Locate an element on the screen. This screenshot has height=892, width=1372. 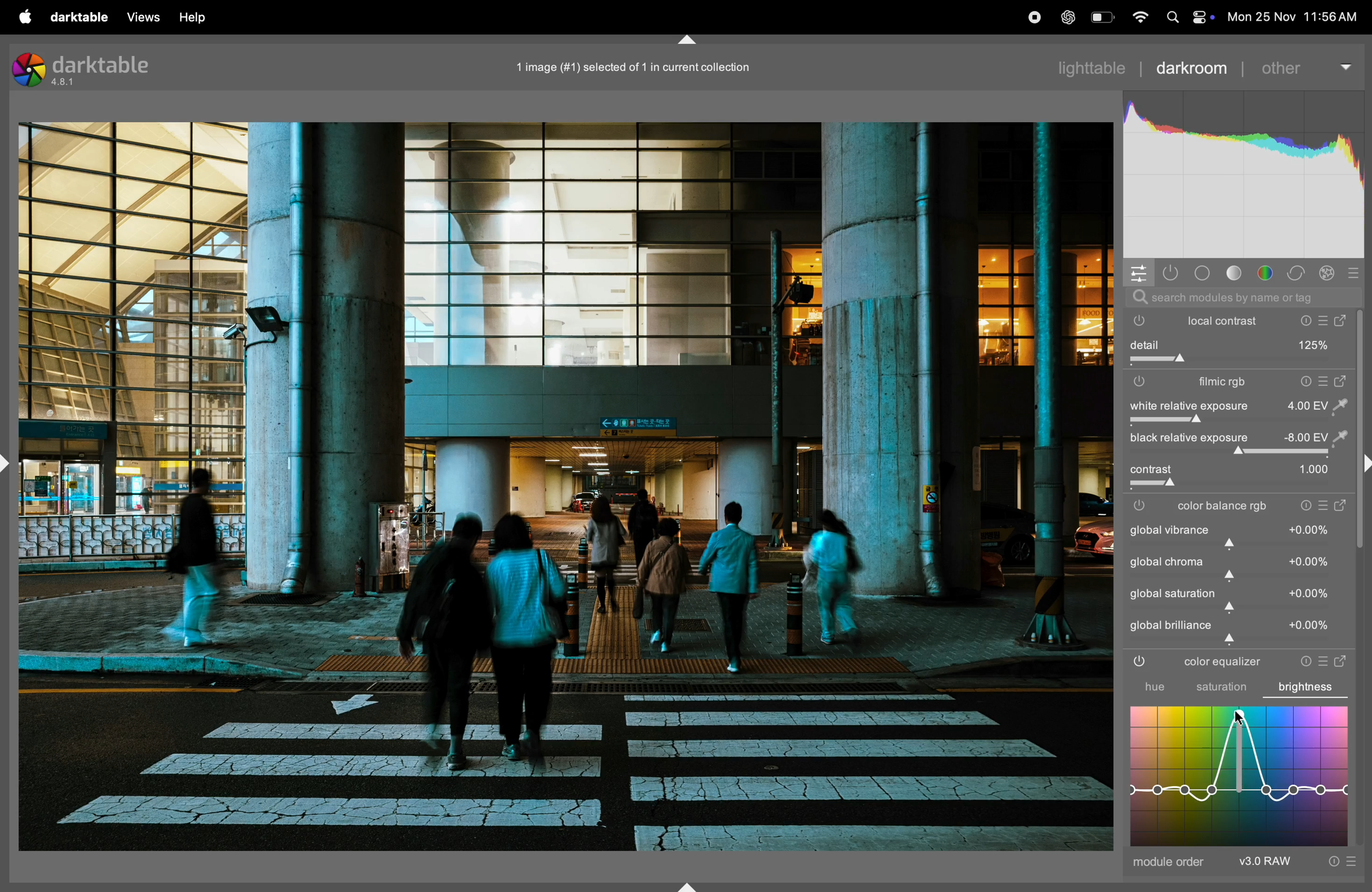
chatgpt is located at coordinates (1071, 17).